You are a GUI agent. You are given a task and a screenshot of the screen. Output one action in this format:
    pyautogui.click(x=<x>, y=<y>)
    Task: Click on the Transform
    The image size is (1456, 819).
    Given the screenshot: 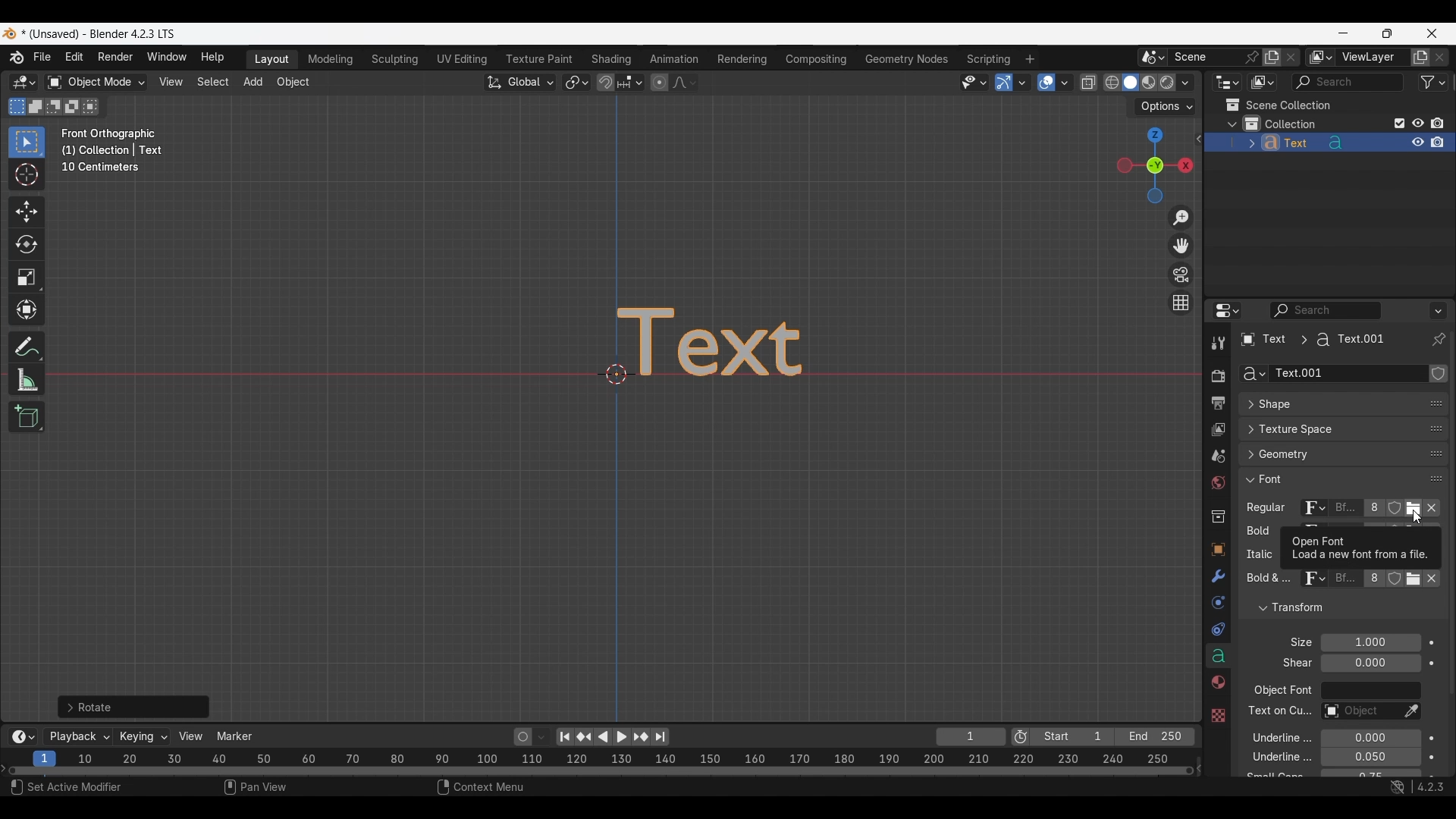 What is the action you would take?
    pyautogui.click(x=26, y=311)
    